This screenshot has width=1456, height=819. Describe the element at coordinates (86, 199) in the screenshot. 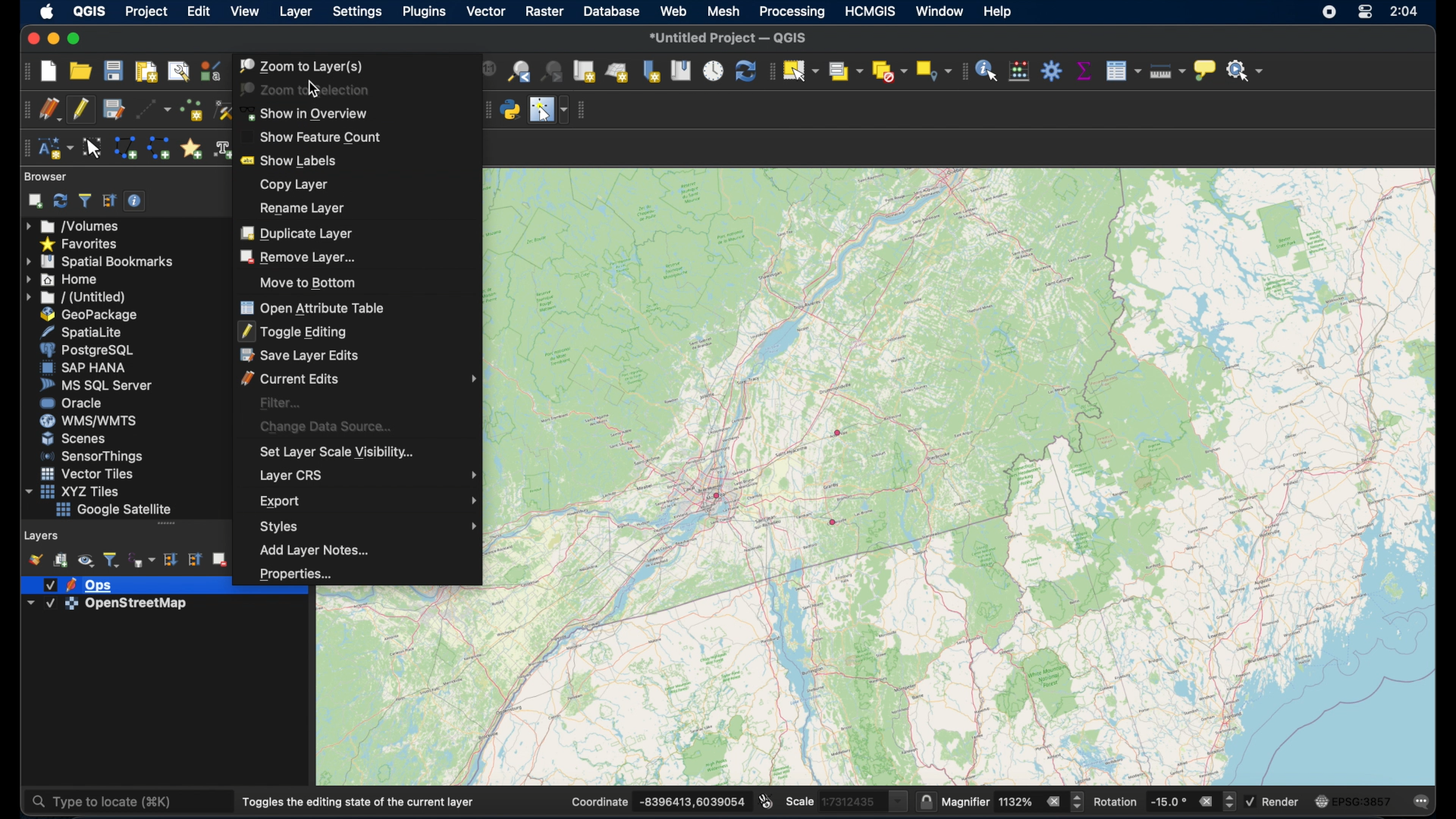

I see `filter browser` at that location.